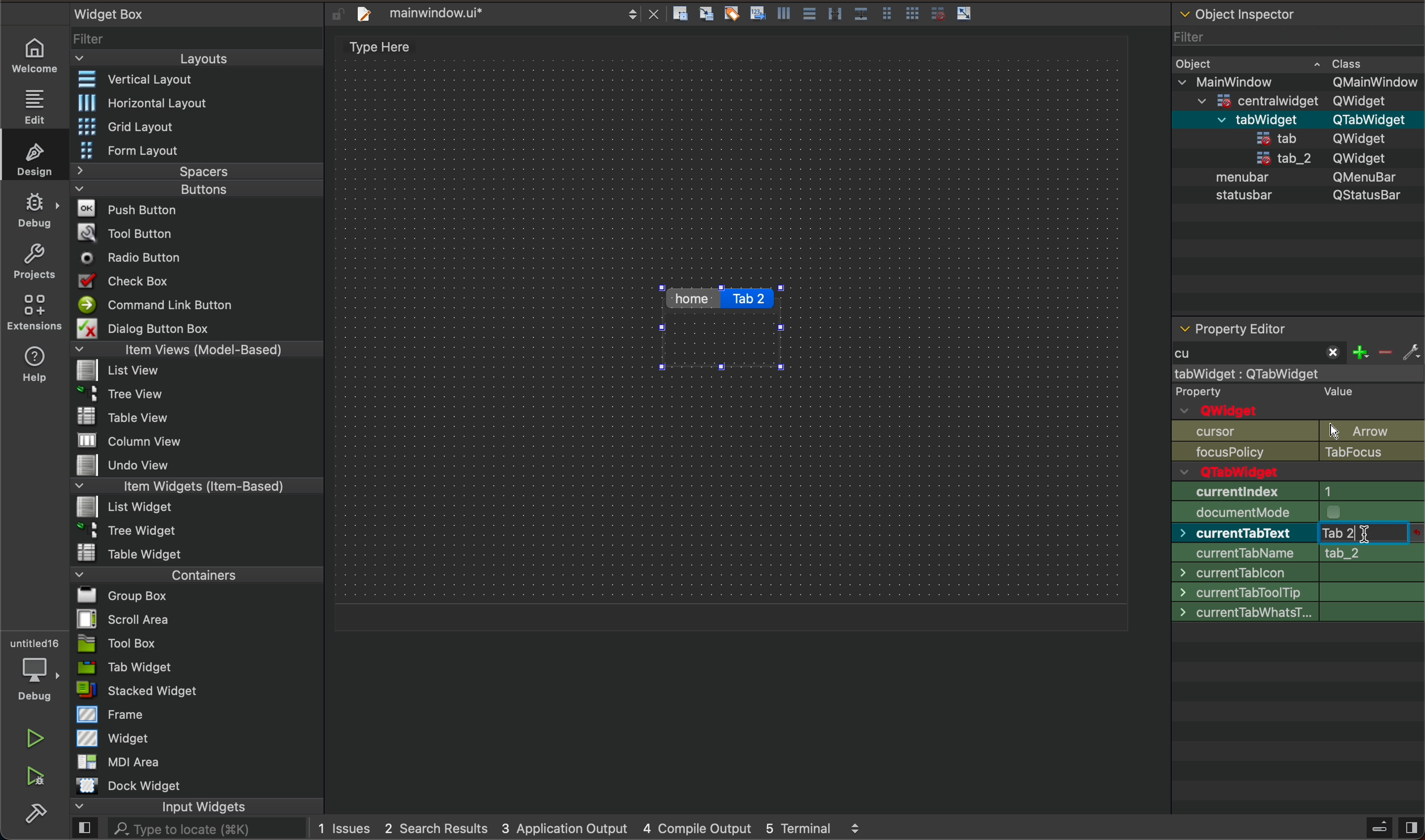 The image size is (1425, 840). Describe the element at coordinates (1299, 552) in the screenshot. I see `` at that location.